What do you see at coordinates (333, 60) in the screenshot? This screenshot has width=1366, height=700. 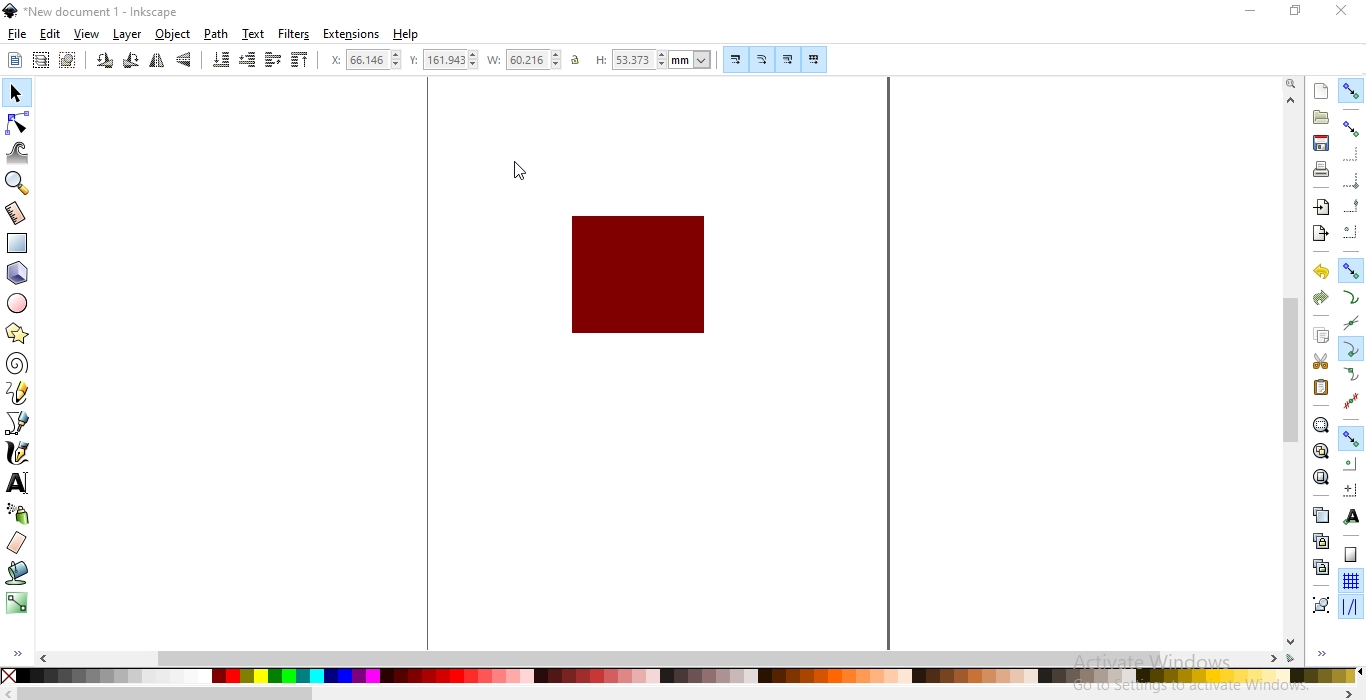 I see `horizontal coordinate of selection` at bounding box center [333, 60].